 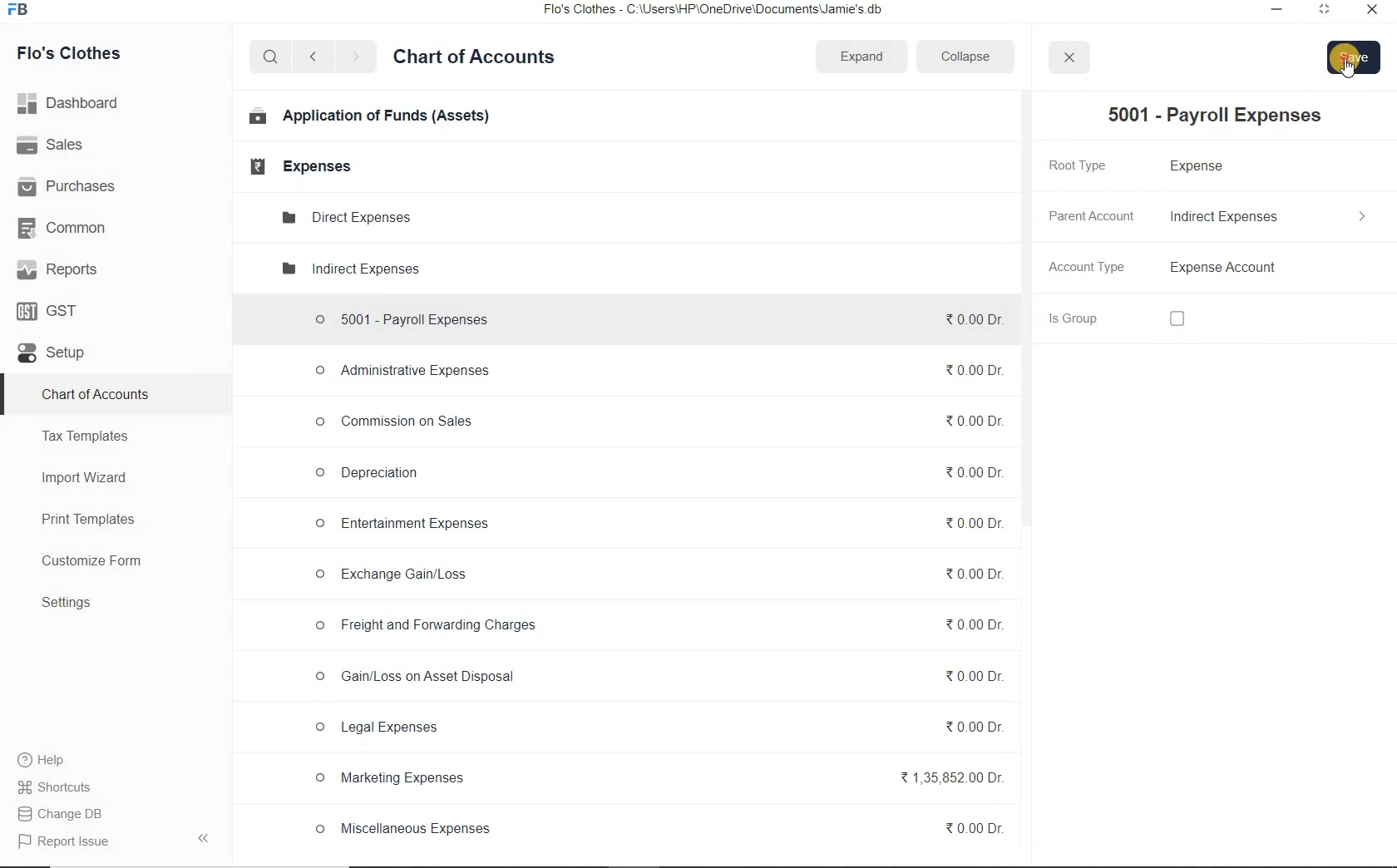 I want to click on © Administrative Expenses %0.00Dr., so click(x=652, y=372).